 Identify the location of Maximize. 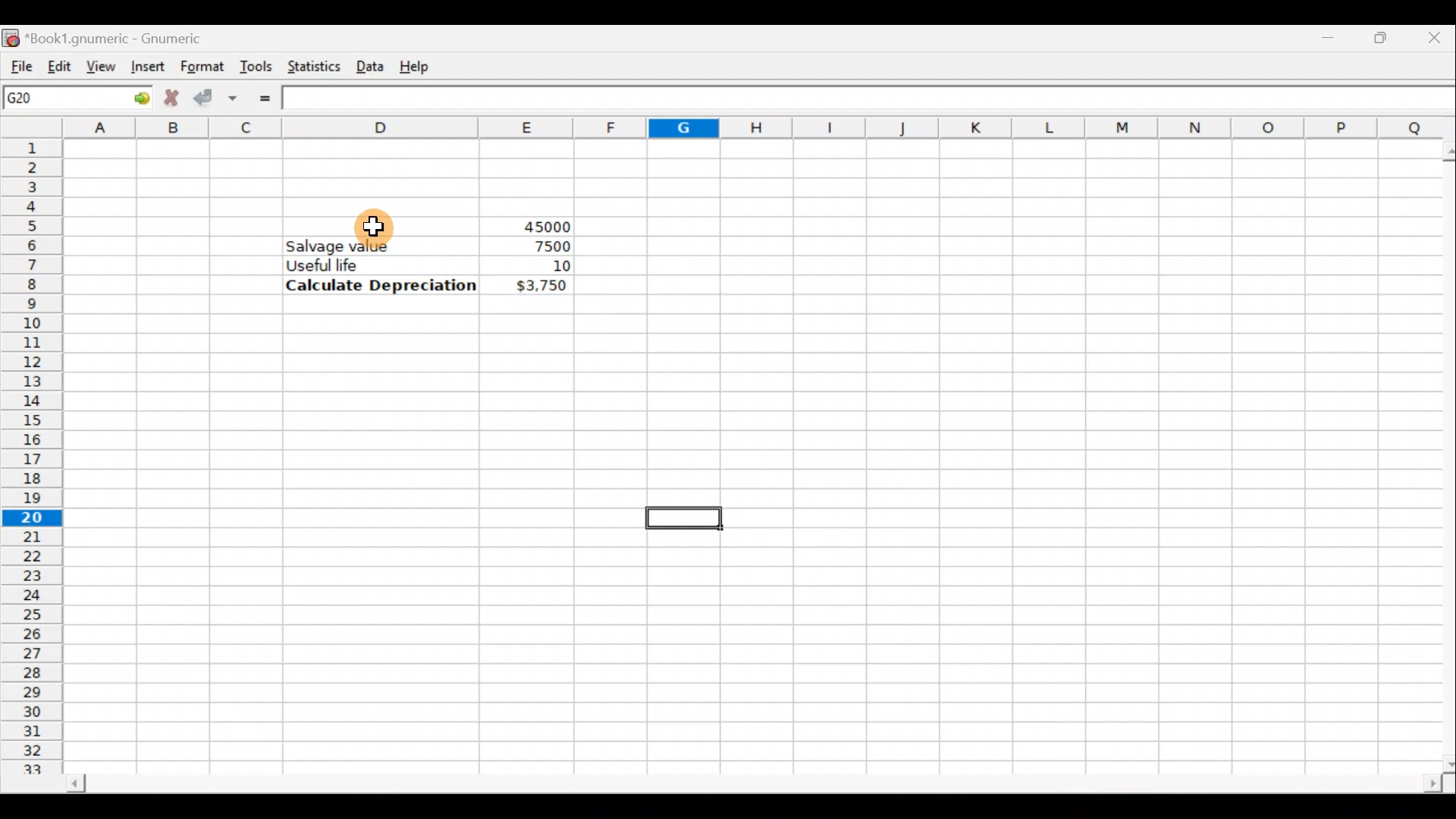
(1384, 37).